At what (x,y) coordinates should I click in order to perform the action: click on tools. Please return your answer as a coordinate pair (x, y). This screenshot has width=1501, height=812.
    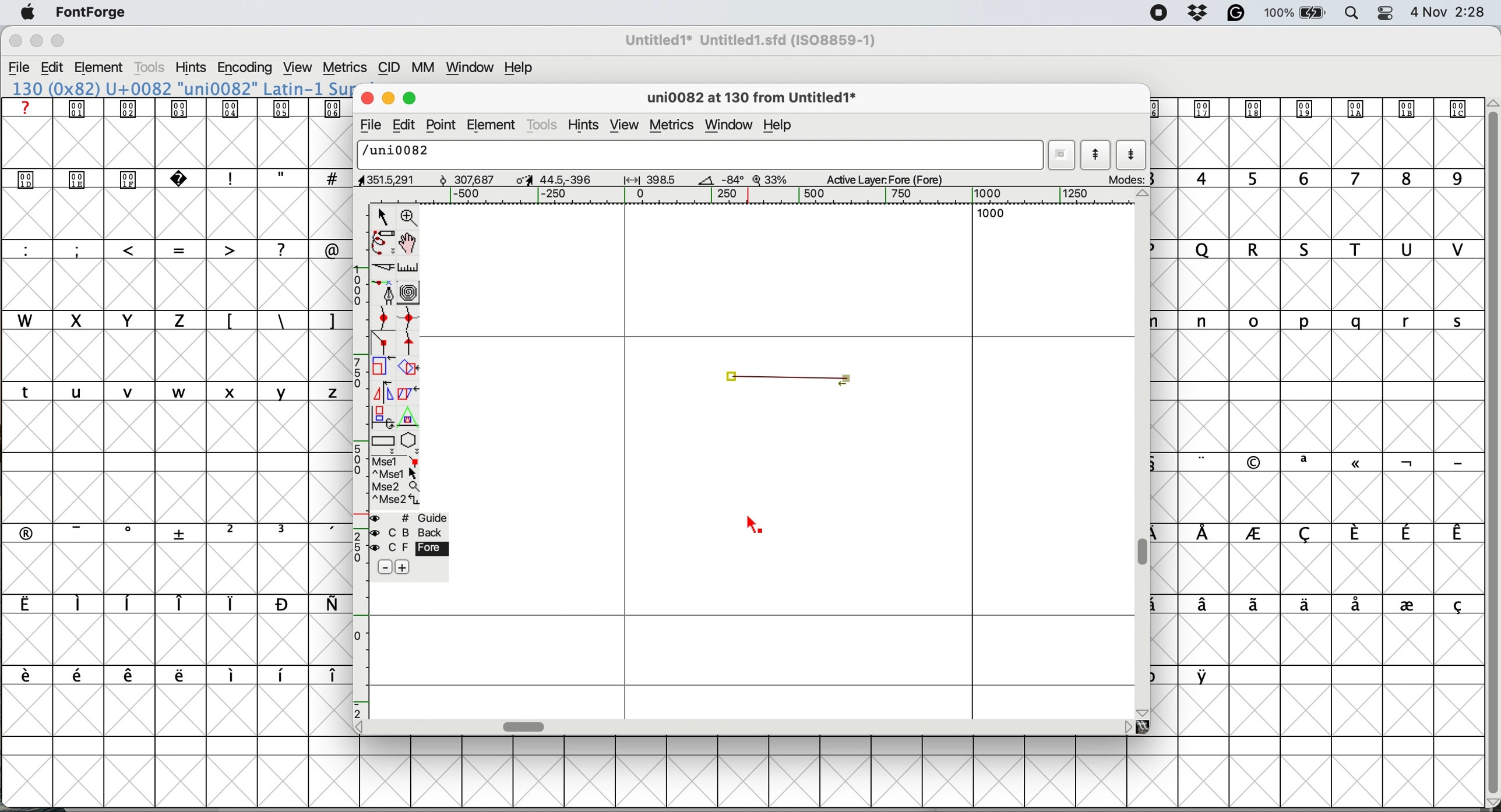
    Looking at the image, I should click on (152, 68).